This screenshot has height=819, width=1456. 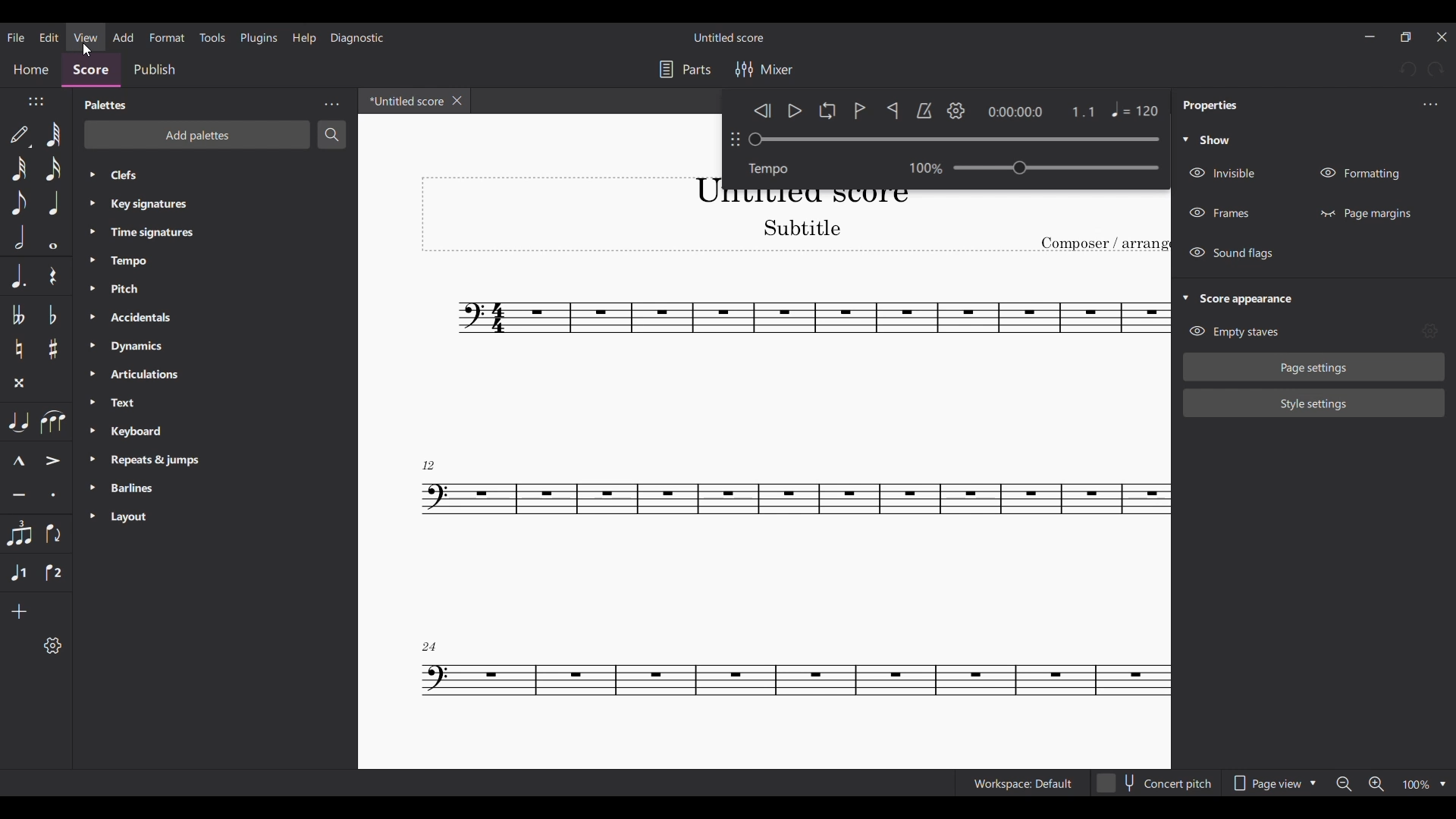 I want to click on Dynamics, so click(x=198, y=346).